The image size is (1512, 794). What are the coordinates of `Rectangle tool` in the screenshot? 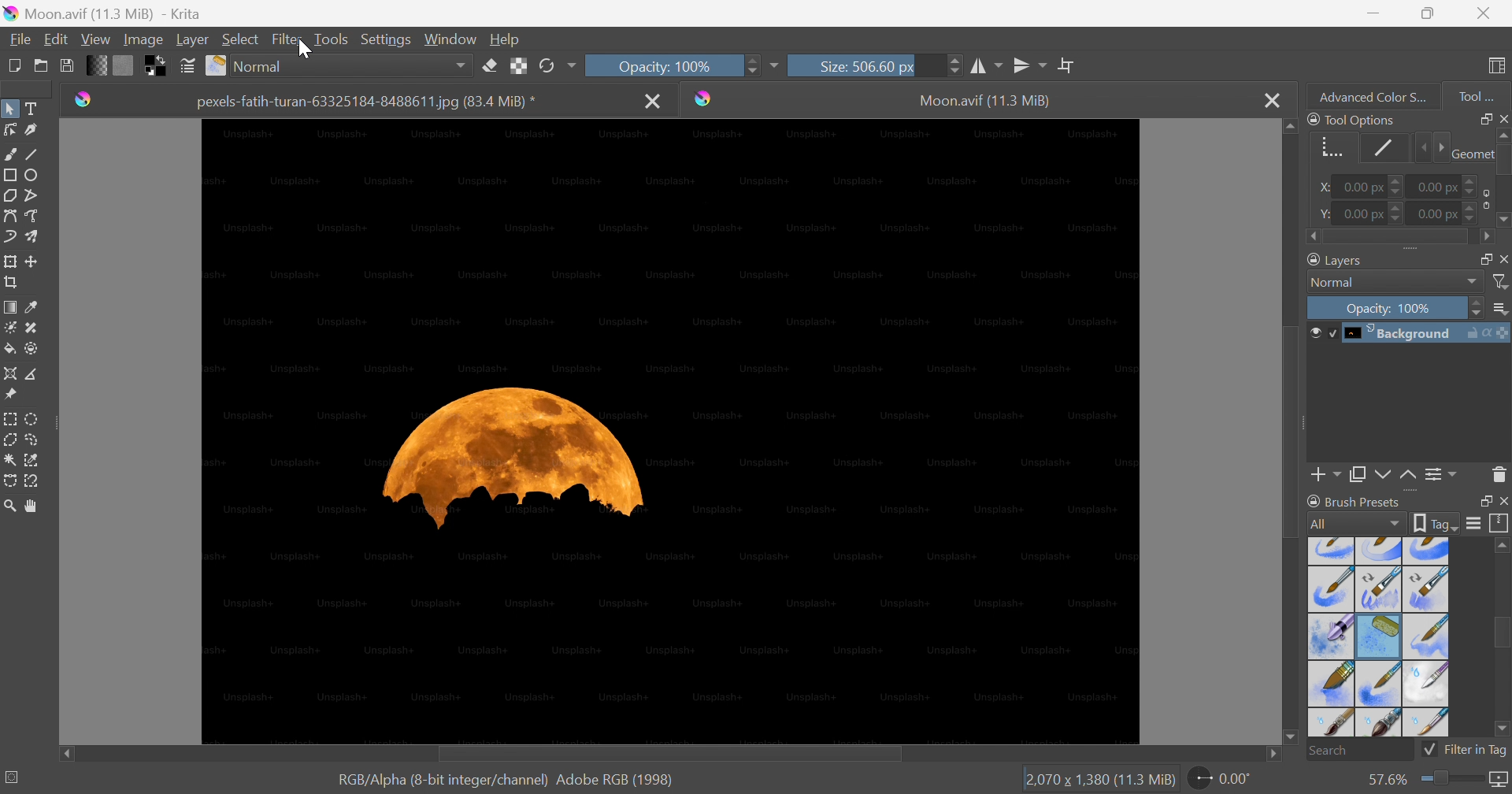 It's located at (9, 175).